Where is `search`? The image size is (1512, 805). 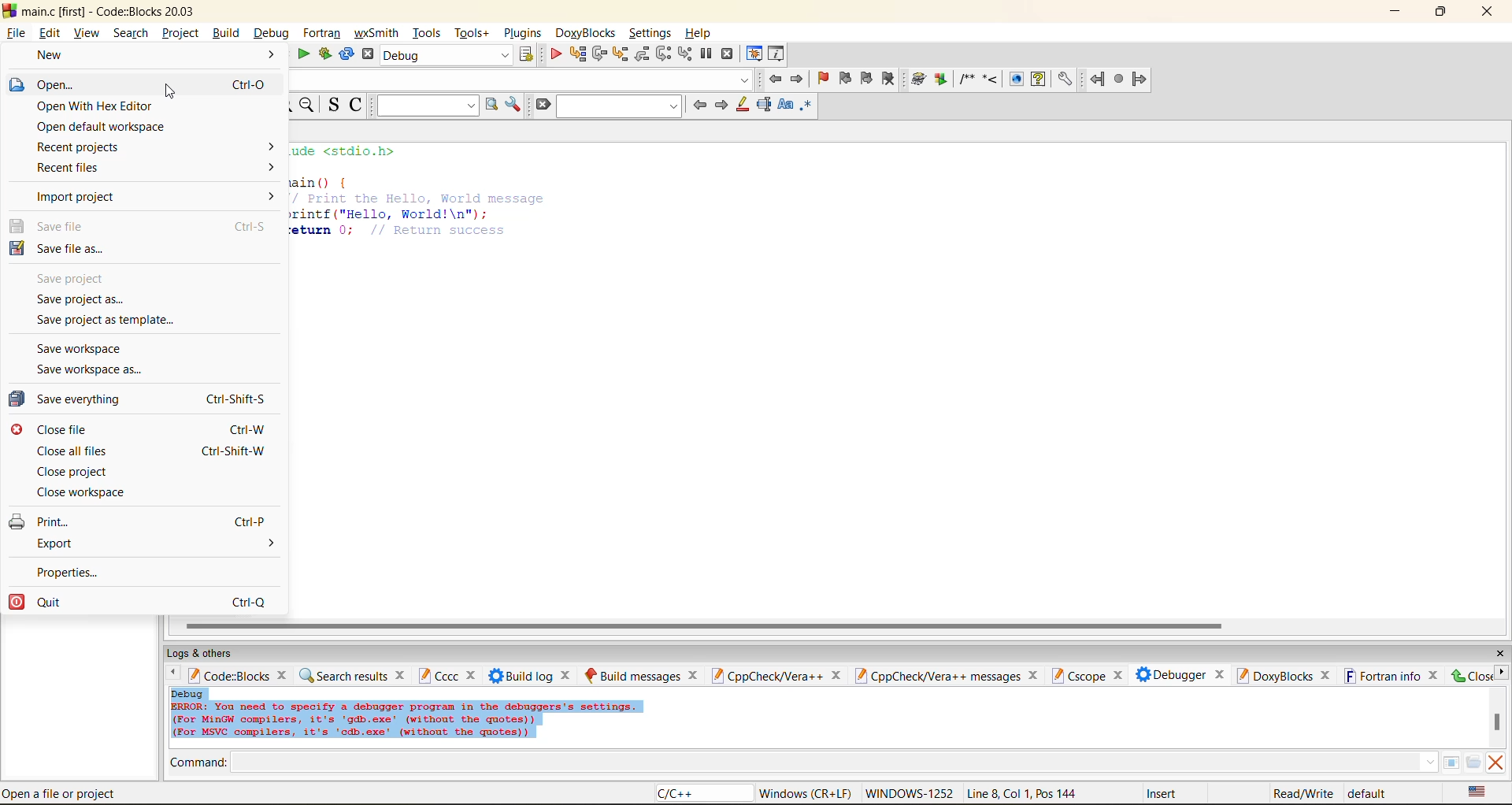
search is located at coordinates (621, 106).